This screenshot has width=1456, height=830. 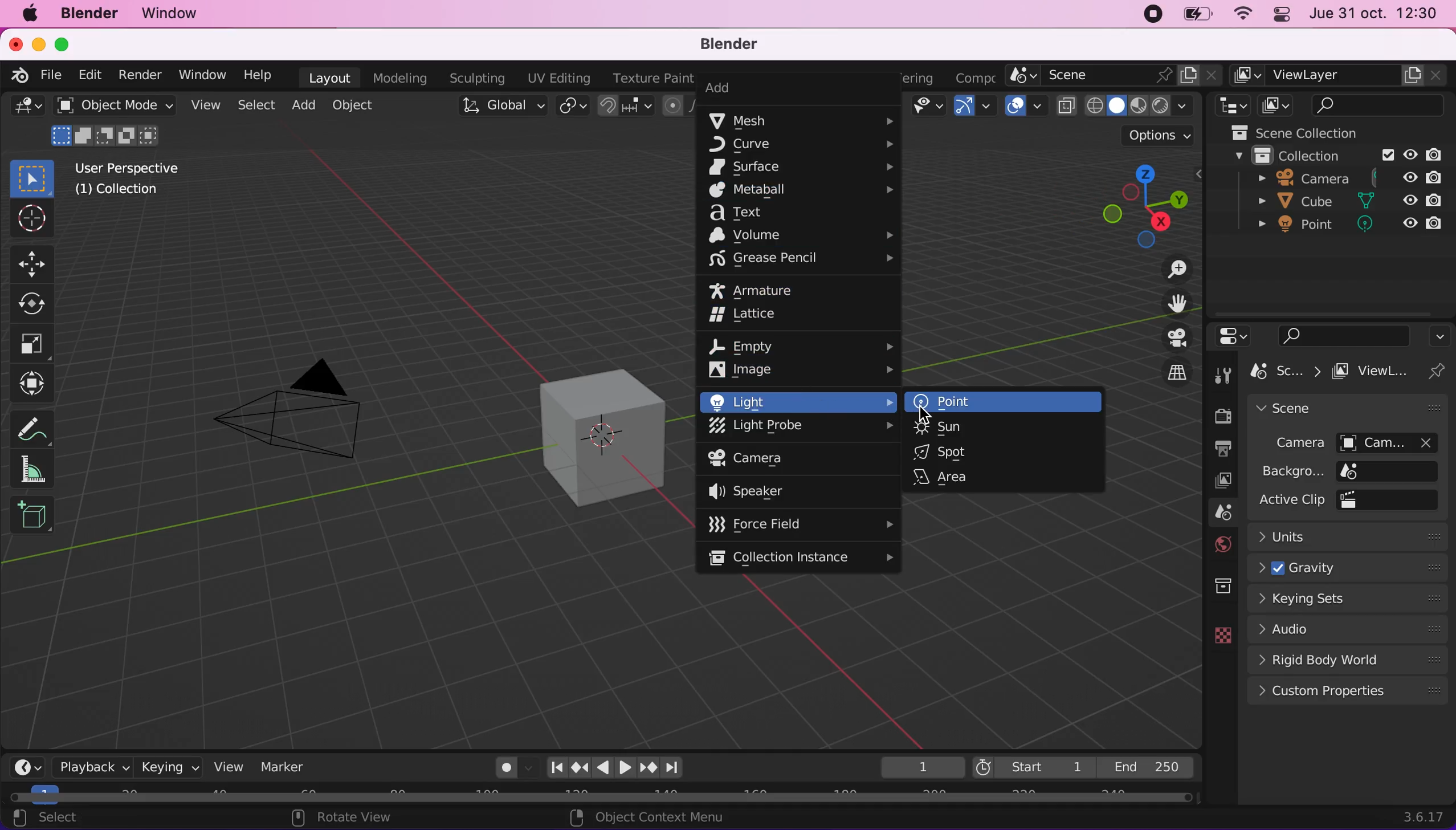 What do you see at coordinates (36, 517) in the screenshot?
I see `add cube` at bounding box center [36, 517].